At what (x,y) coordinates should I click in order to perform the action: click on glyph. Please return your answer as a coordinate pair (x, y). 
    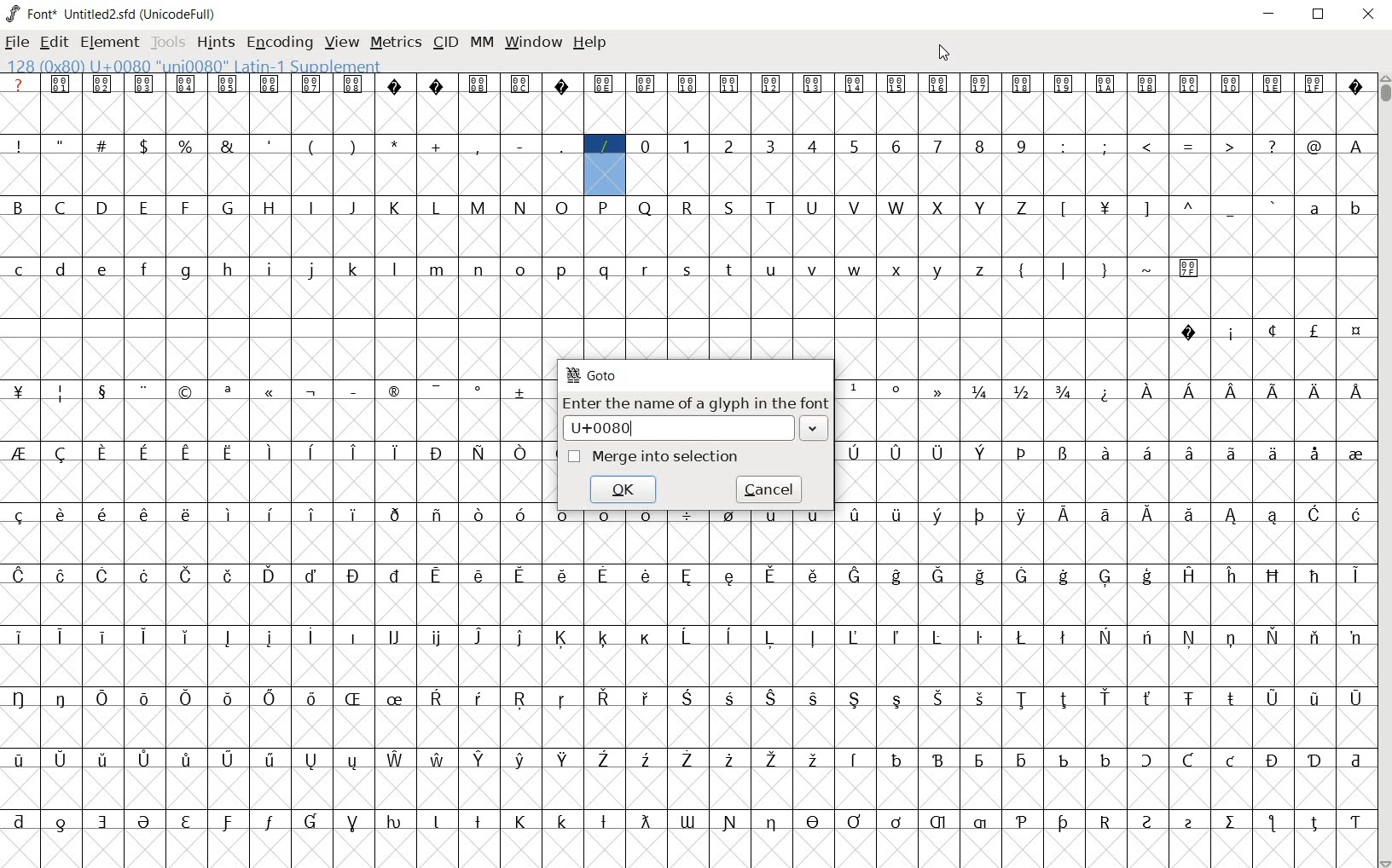
    Looking at the image, I should click on (937, 208).